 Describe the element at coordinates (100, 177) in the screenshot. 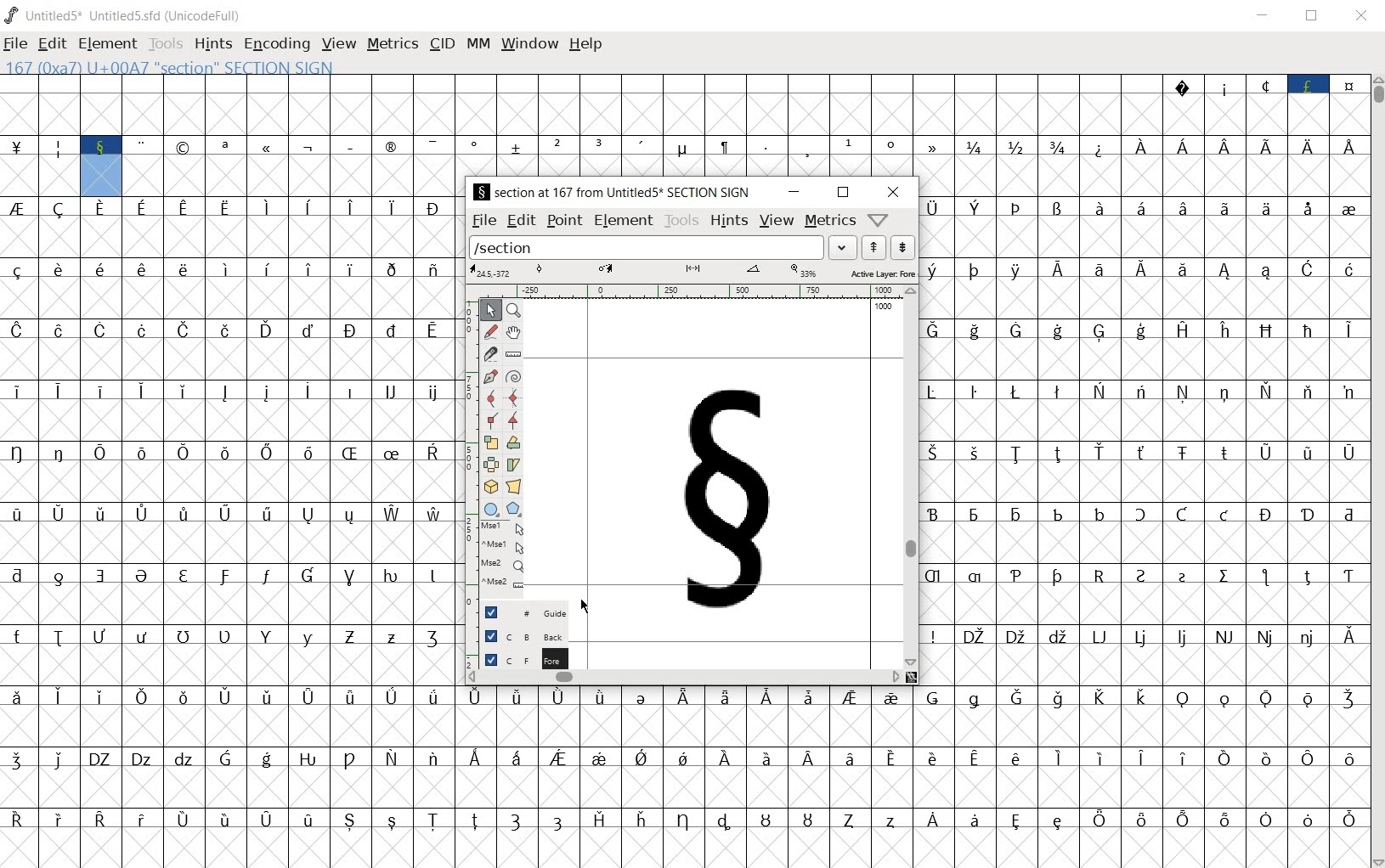

I see `highlighted cell` at that location.